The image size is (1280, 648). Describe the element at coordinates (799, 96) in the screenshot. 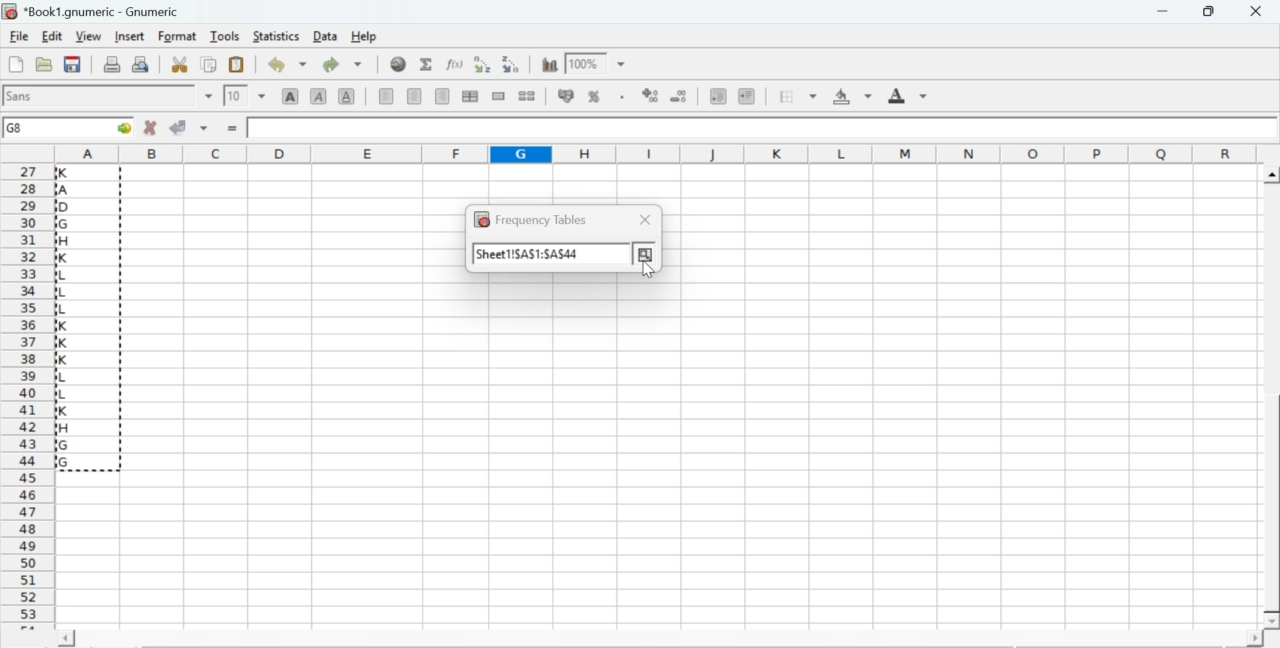

I see `borders` at that location.